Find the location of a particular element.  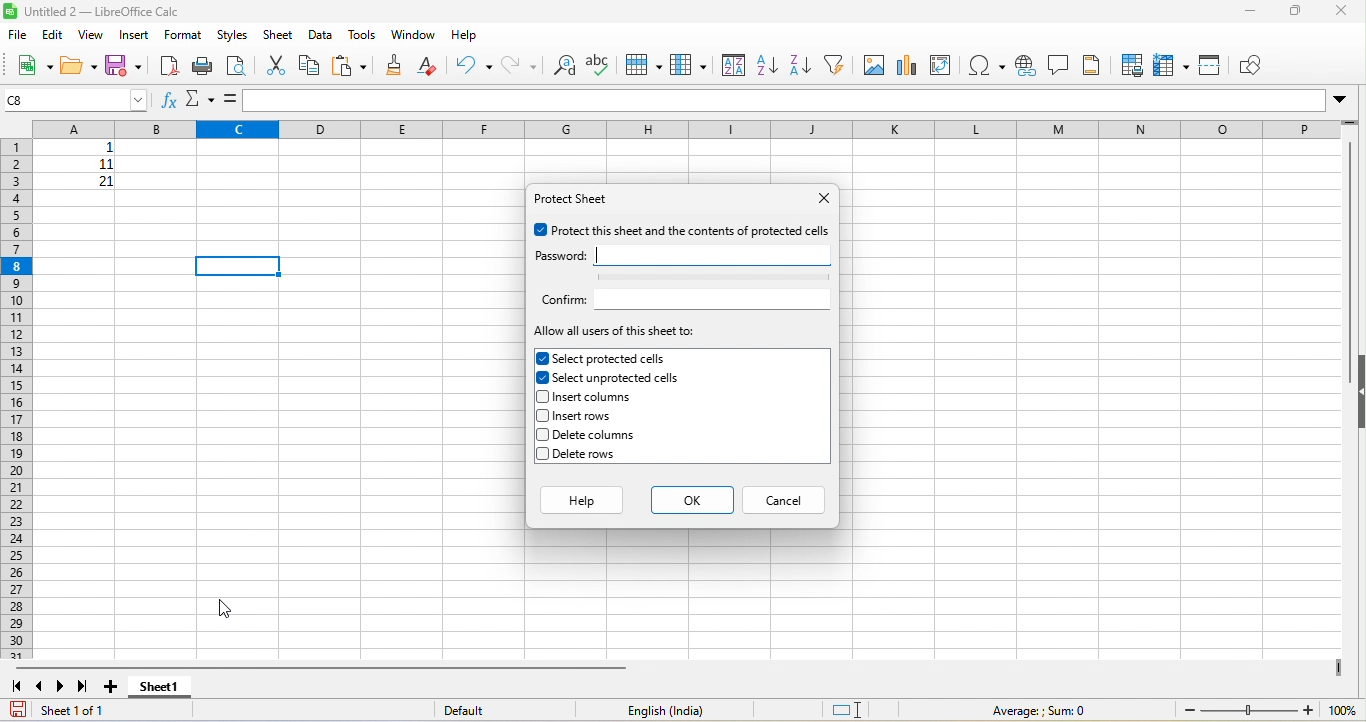

hide is located at coordinates (1357, 396).